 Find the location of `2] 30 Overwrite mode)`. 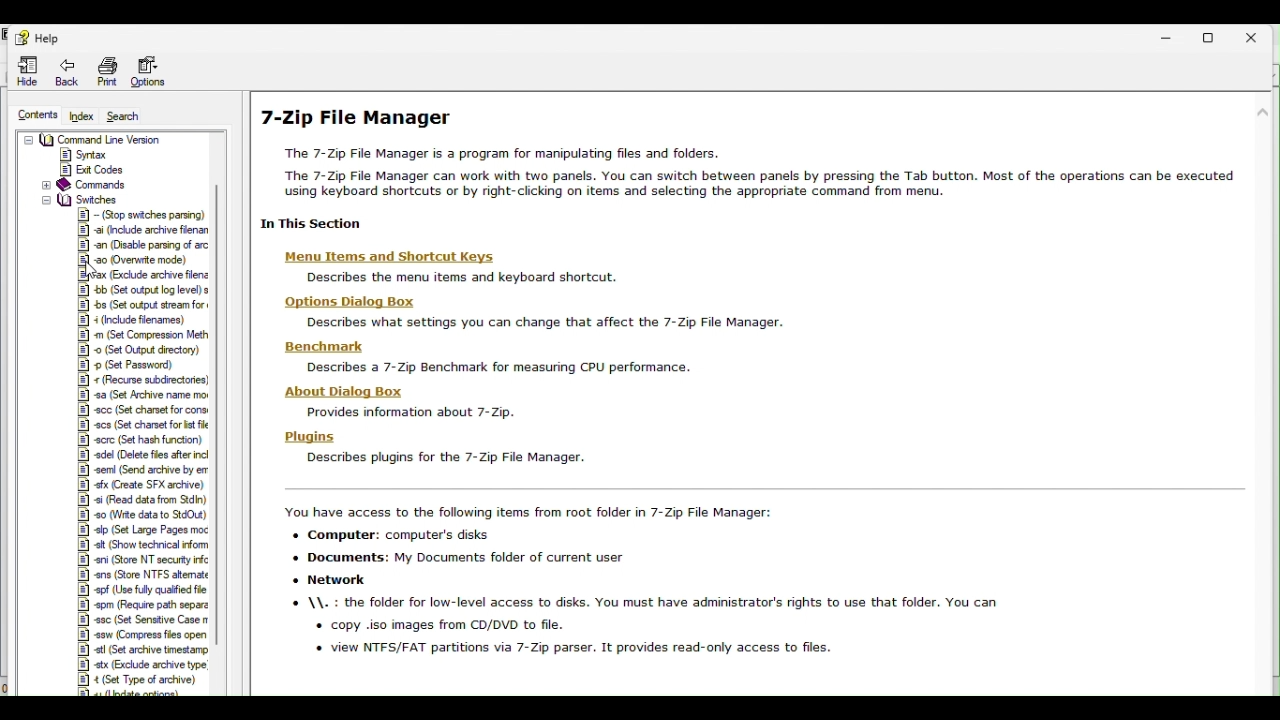

2] 30 Overwrite mode) is located at coordinates (131, 258).